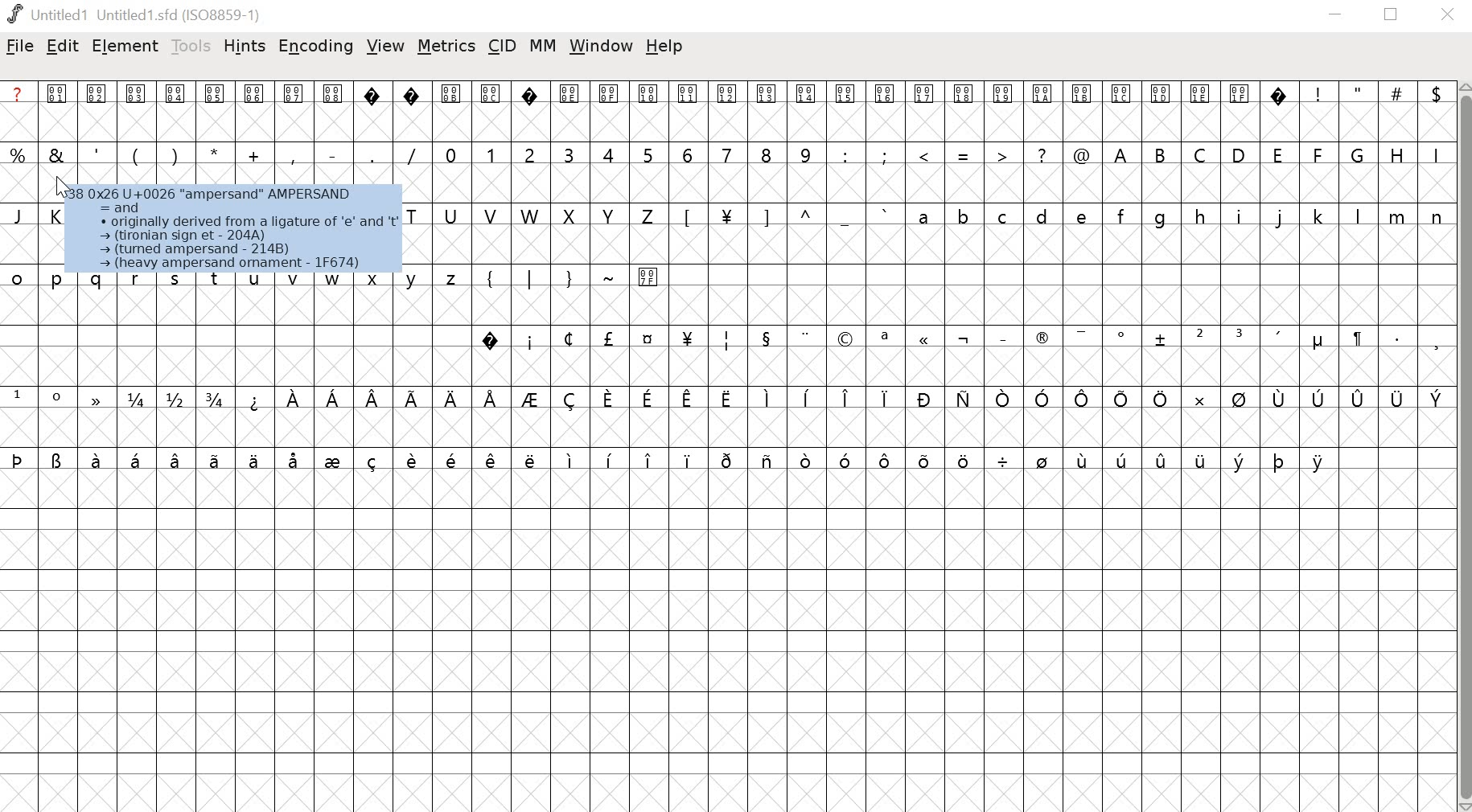  Describe the element at coordinates (98, 153) in the screenshot. I see `'` at that location.